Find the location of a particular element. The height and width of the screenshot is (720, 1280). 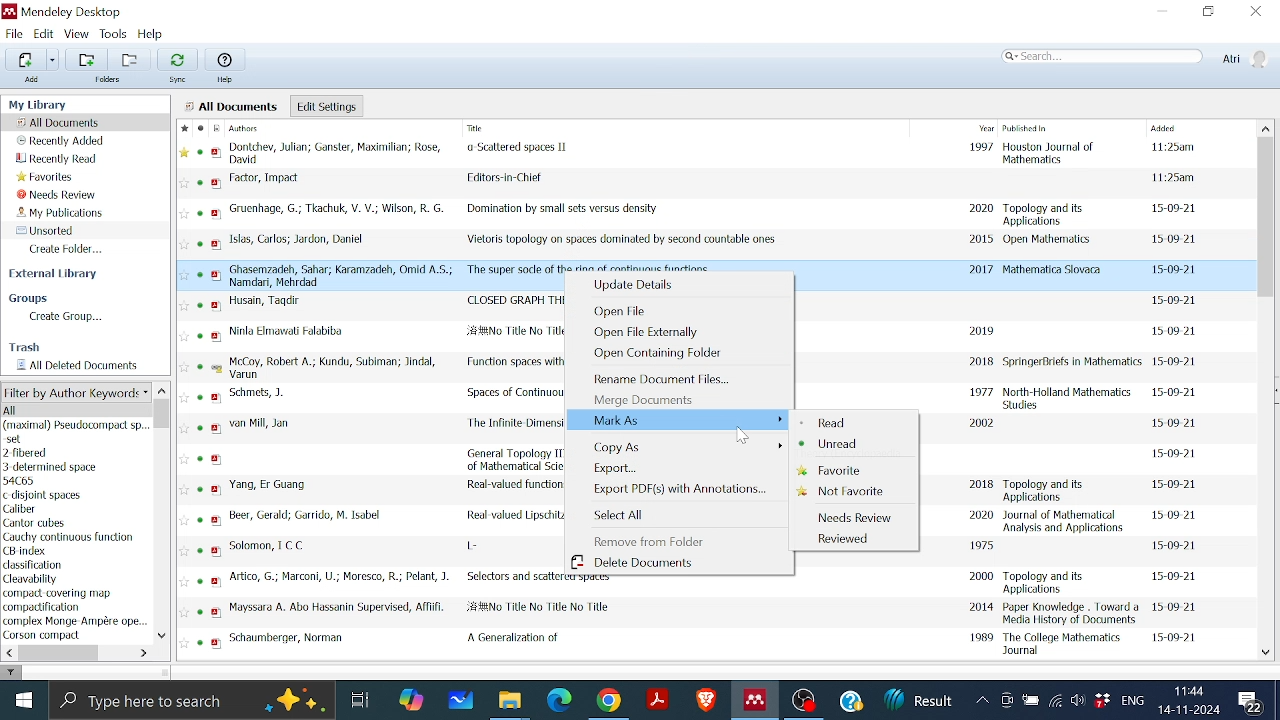

Minimize is located at coordinates (1161, 10).